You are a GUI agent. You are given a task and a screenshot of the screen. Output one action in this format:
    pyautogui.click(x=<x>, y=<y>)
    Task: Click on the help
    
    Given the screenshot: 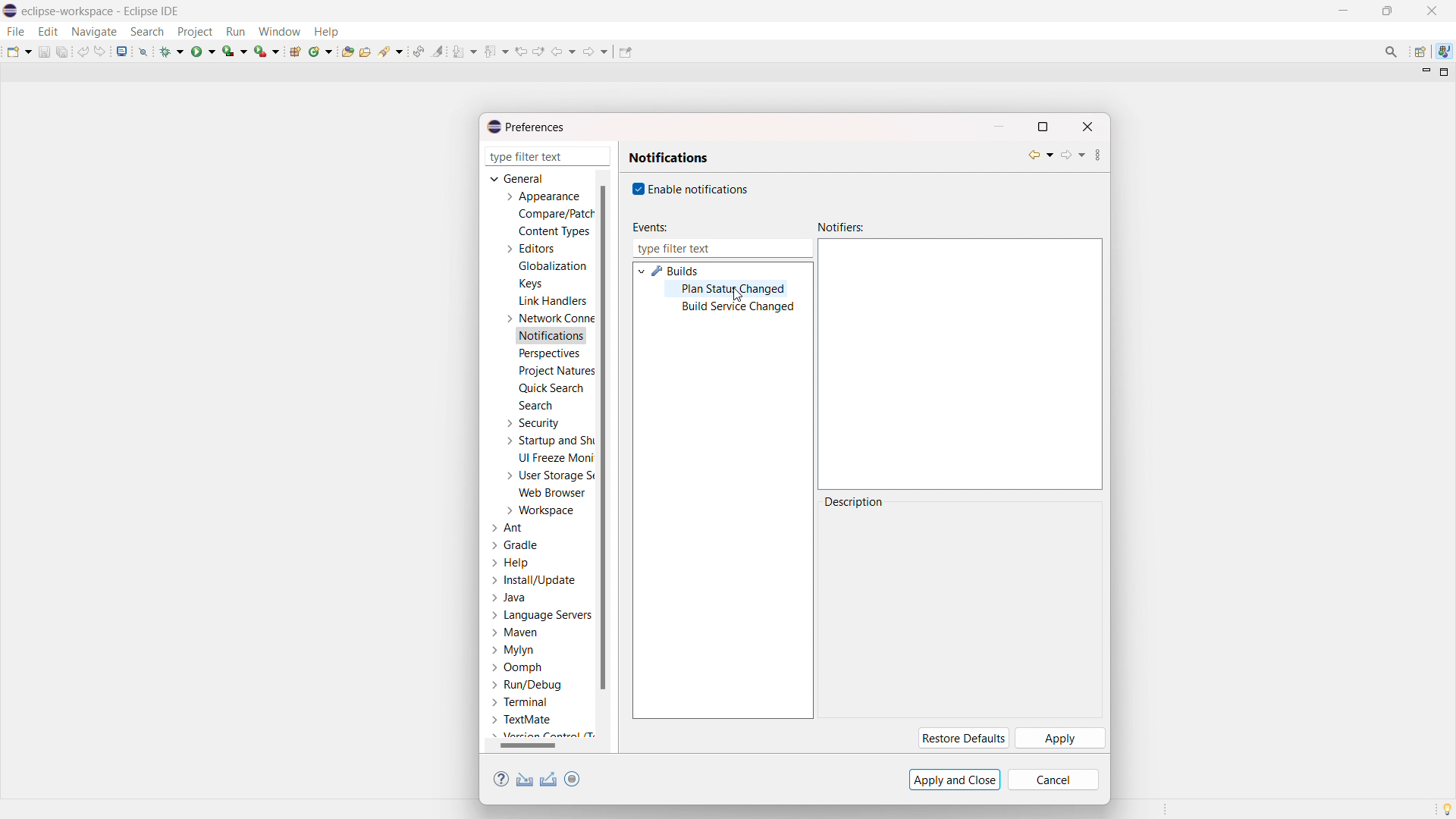 What is the action you would take?
    pyautogui.click(x=326, y=30)
    